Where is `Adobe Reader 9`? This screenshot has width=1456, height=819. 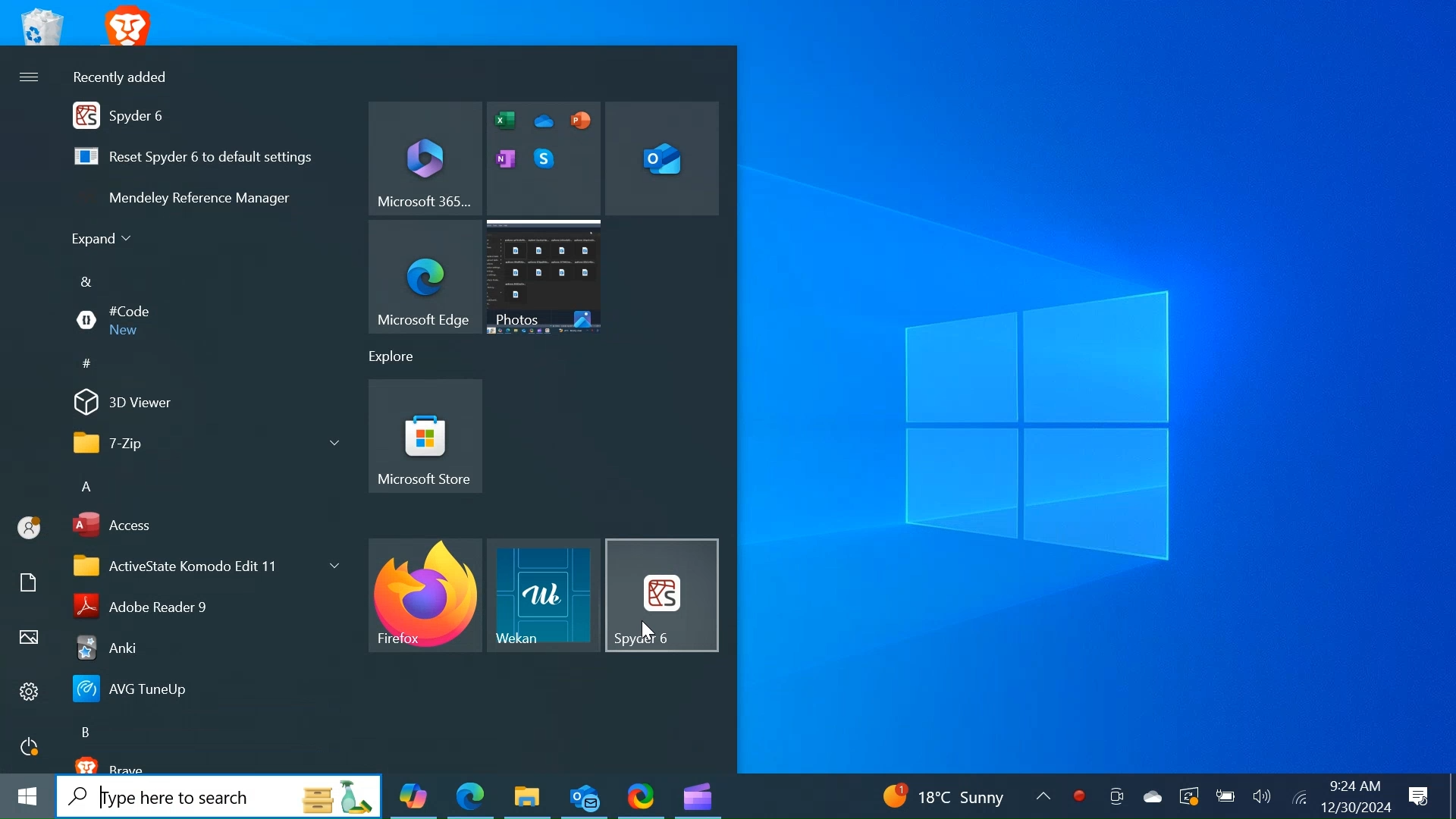
Adobe Reader 9 is located at coordinates (201, 604).